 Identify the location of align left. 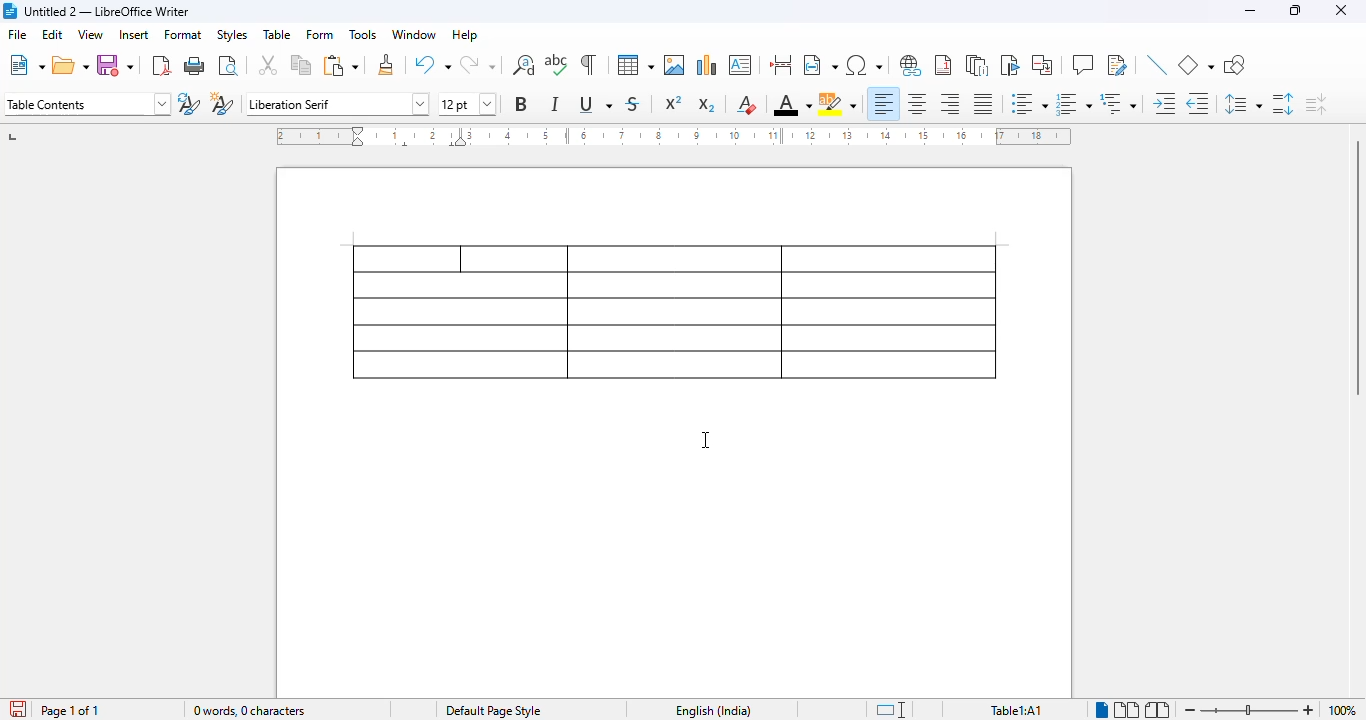
(884, 104).